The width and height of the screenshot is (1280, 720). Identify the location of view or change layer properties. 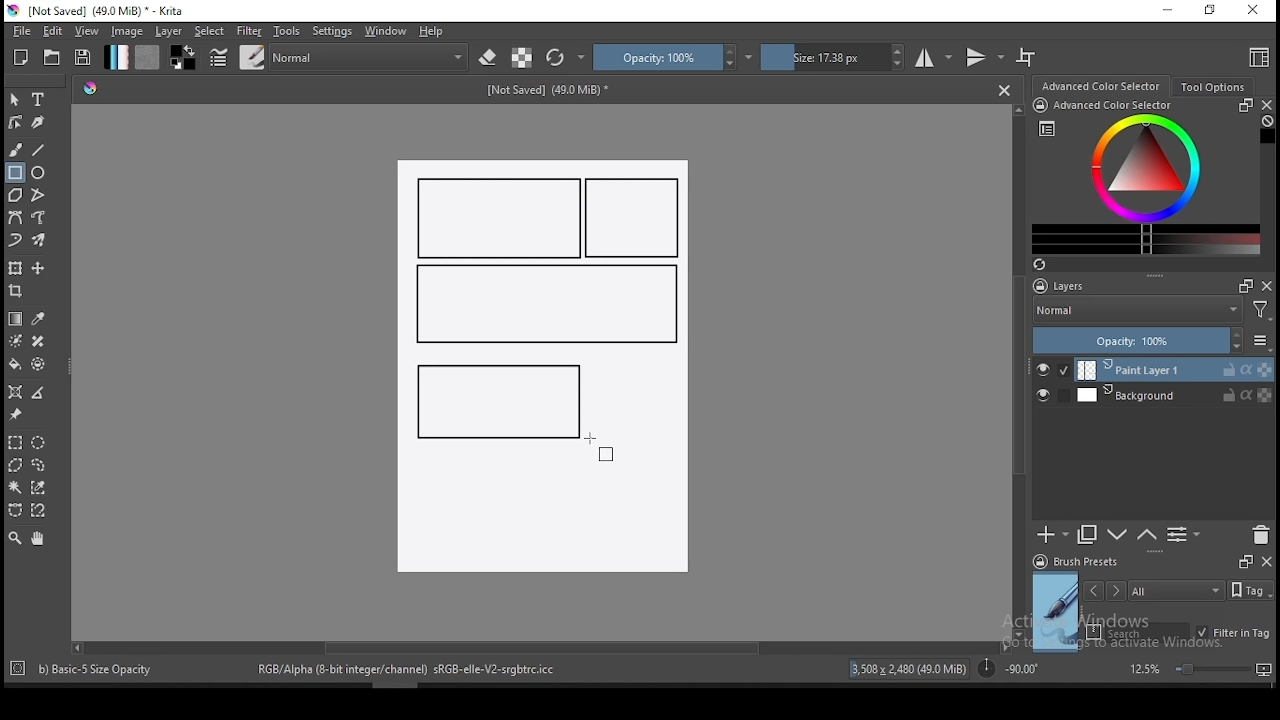
(1183, 534).